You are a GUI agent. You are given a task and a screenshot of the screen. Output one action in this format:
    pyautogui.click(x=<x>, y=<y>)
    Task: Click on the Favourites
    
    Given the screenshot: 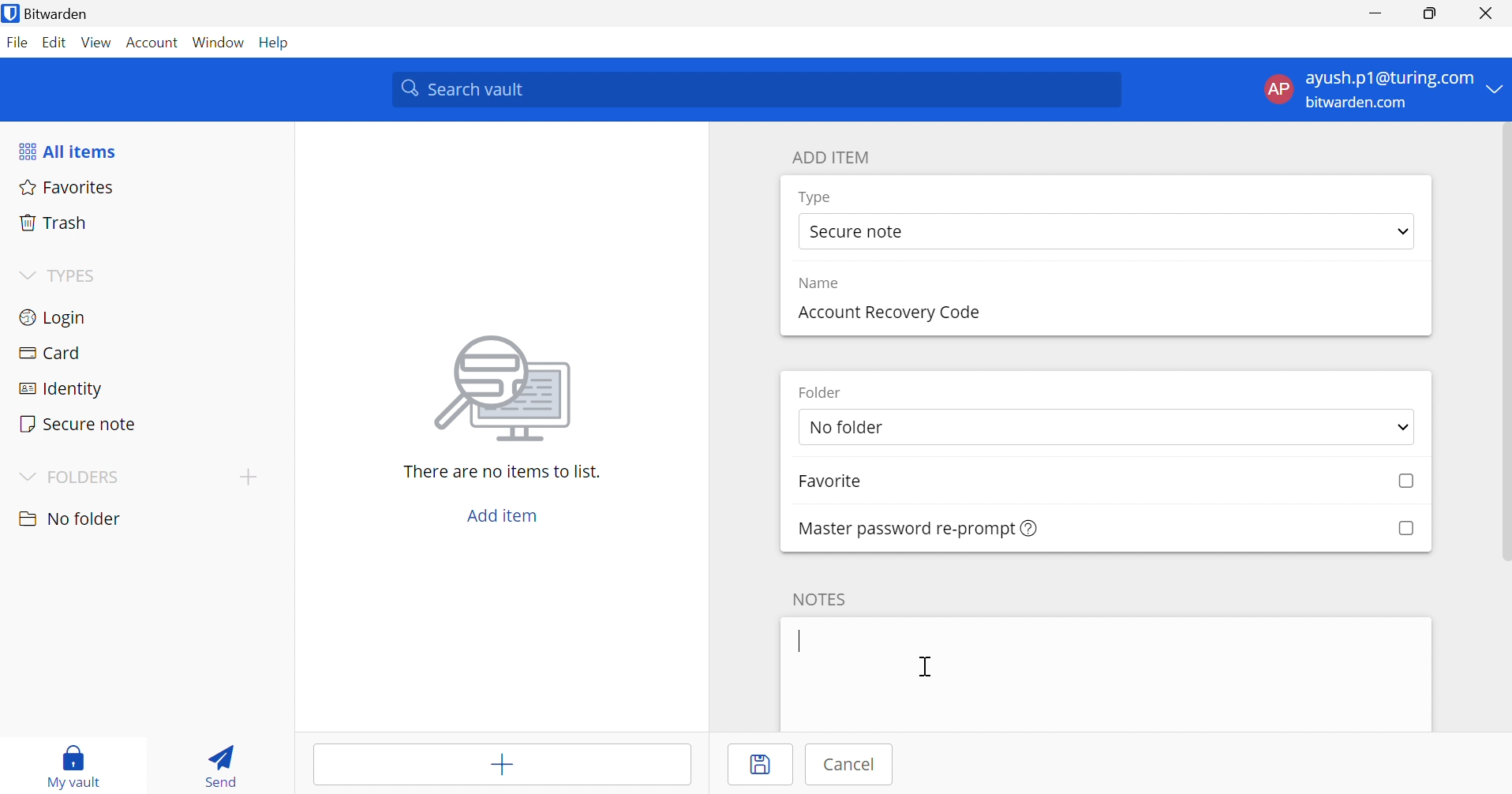 What is the action you would take?
    pyautogui.click(x=69, y=189)
    